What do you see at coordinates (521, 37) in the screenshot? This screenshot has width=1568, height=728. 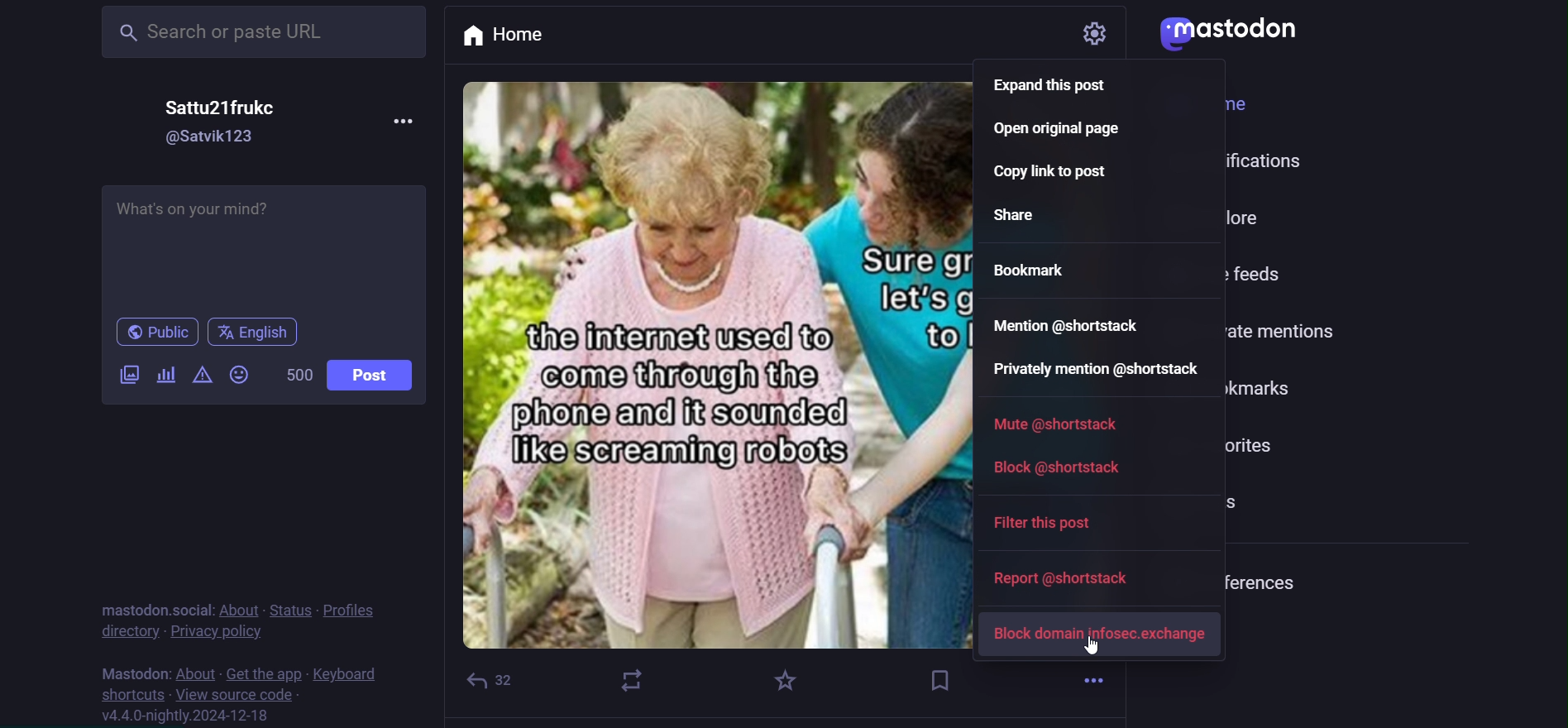 I see `home` at bounding box center [521, 37].